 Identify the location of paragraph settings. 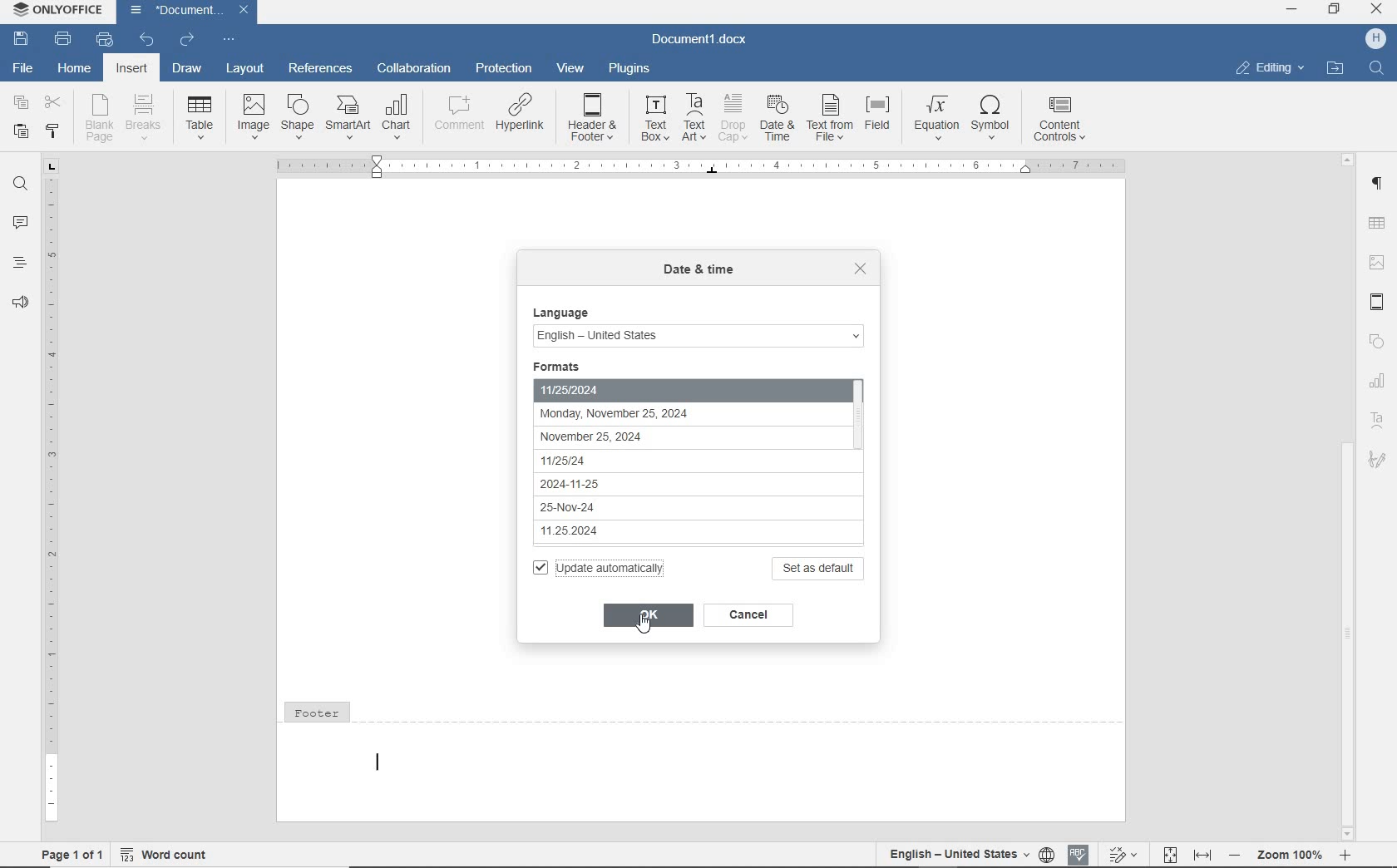
(1380, 185).